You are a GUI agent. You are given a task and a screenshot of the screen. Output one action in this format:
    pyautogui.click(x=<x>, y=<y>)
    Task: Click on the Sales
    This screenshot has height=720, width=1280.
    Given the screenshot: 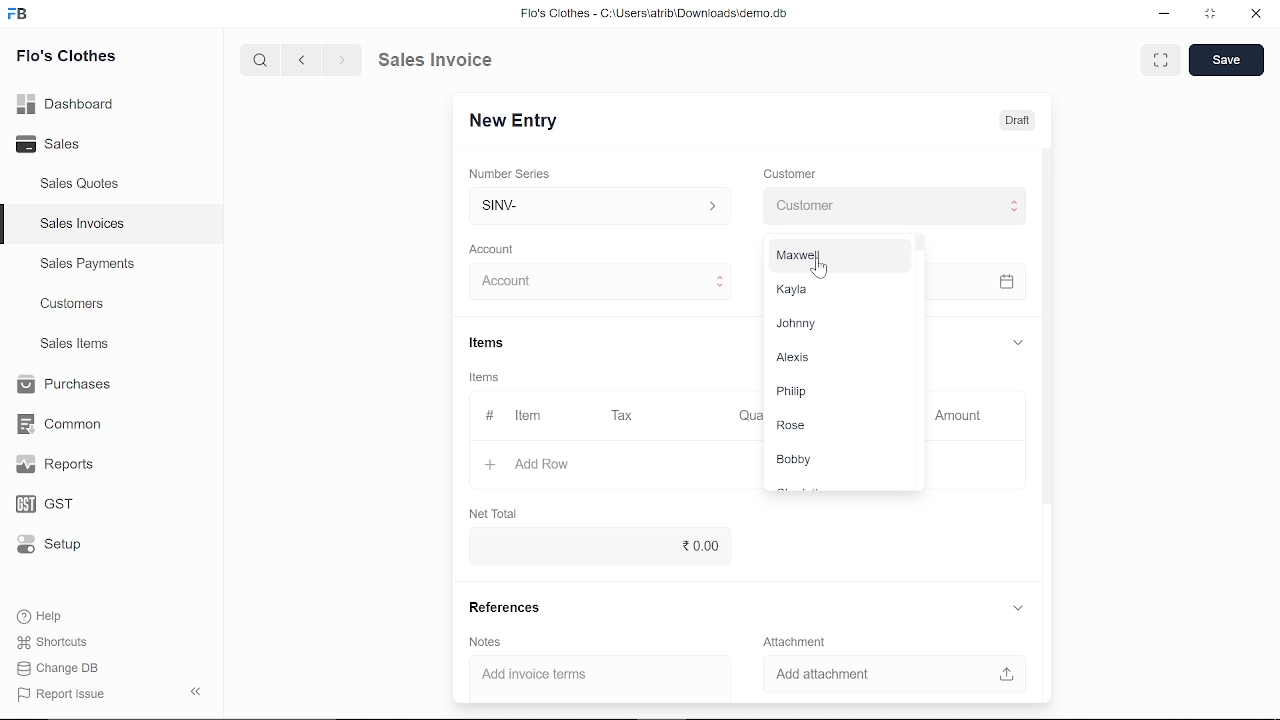 What is the action you would take?
    pyautogui.click(x=70, y=145)
    